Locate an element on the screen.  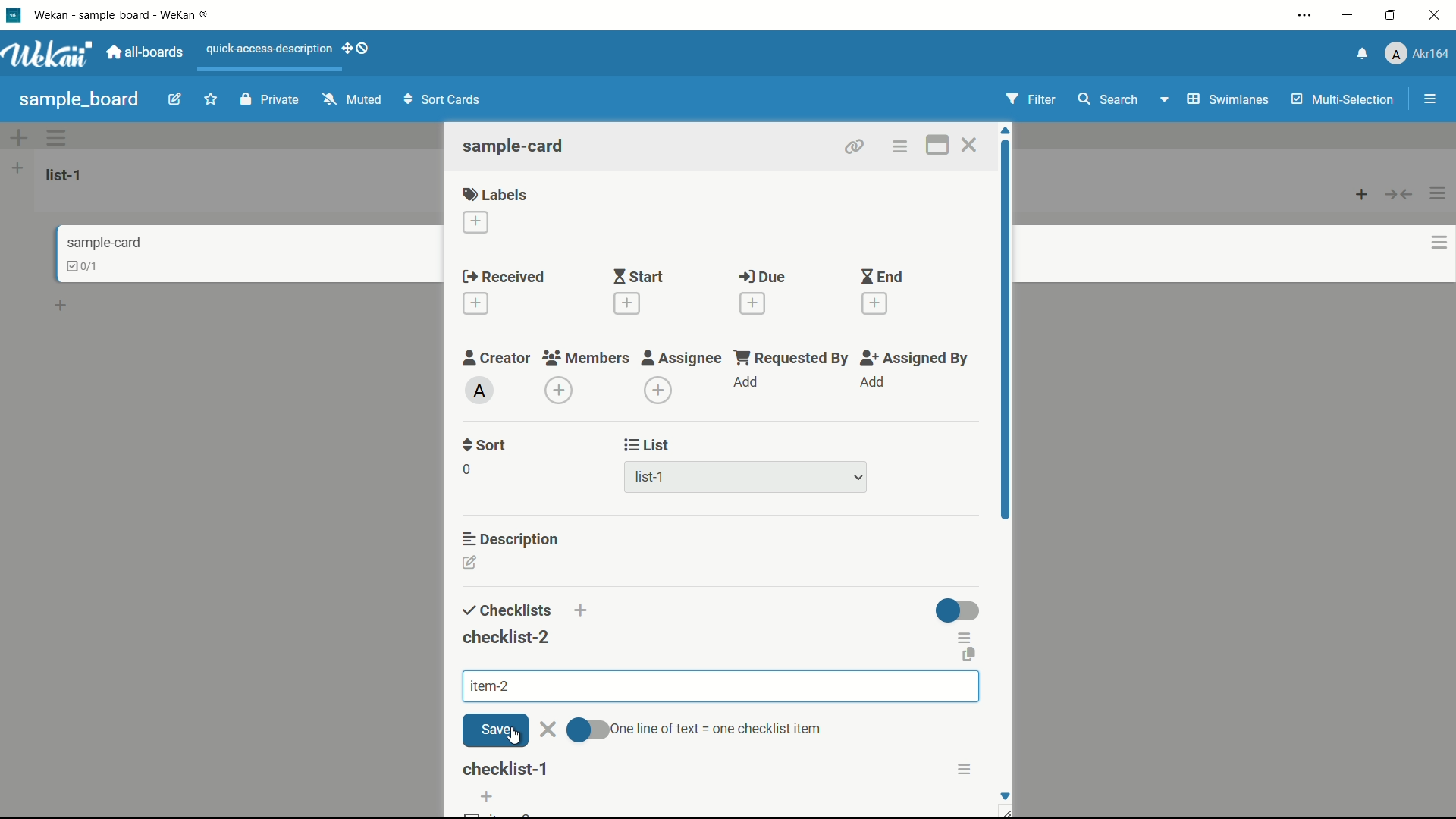
add card is located at coordinates (1362, 193).